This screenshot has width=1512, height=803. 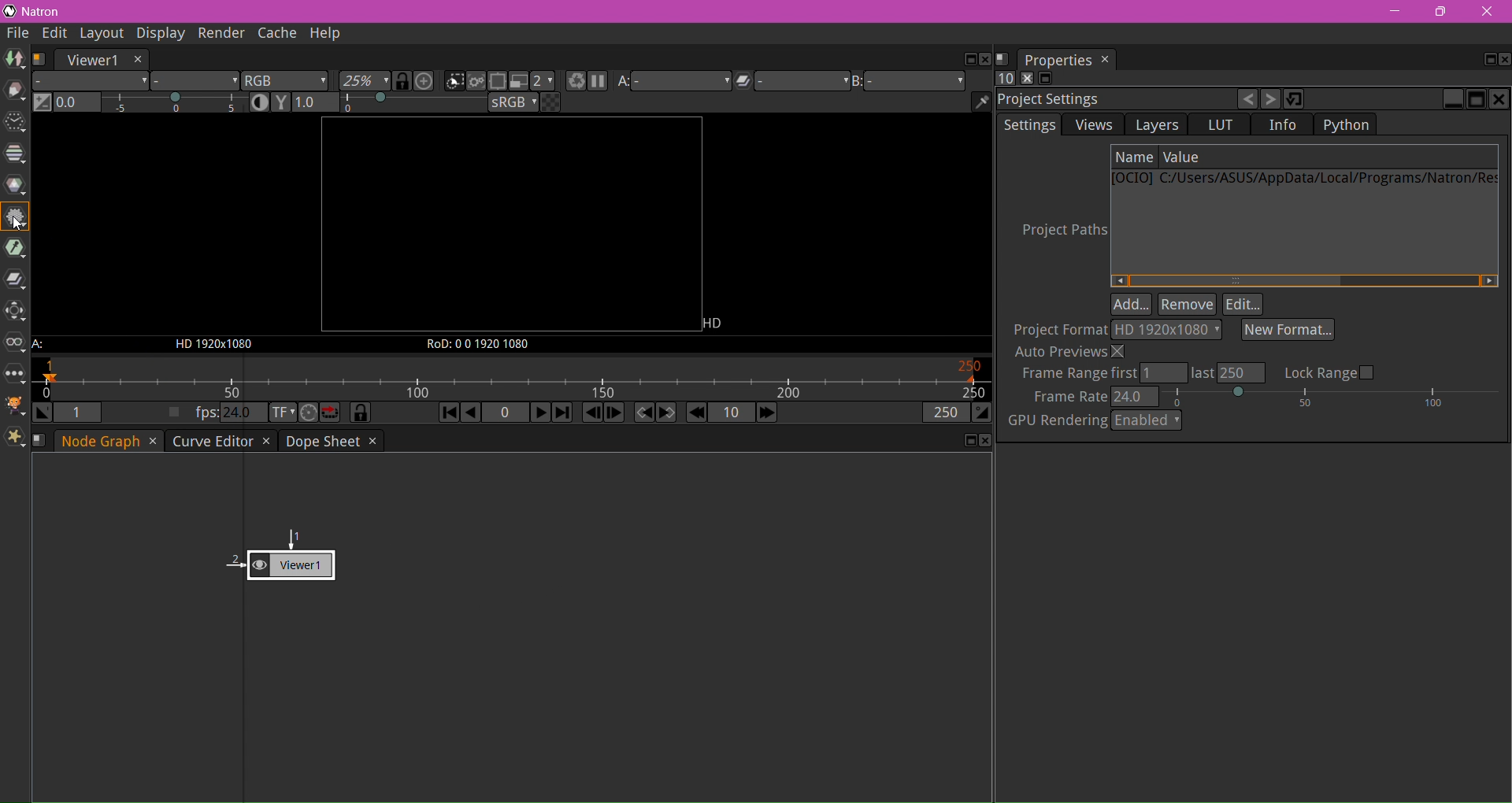 I want to click on Maximize pane, so click(x=1476, y=99).